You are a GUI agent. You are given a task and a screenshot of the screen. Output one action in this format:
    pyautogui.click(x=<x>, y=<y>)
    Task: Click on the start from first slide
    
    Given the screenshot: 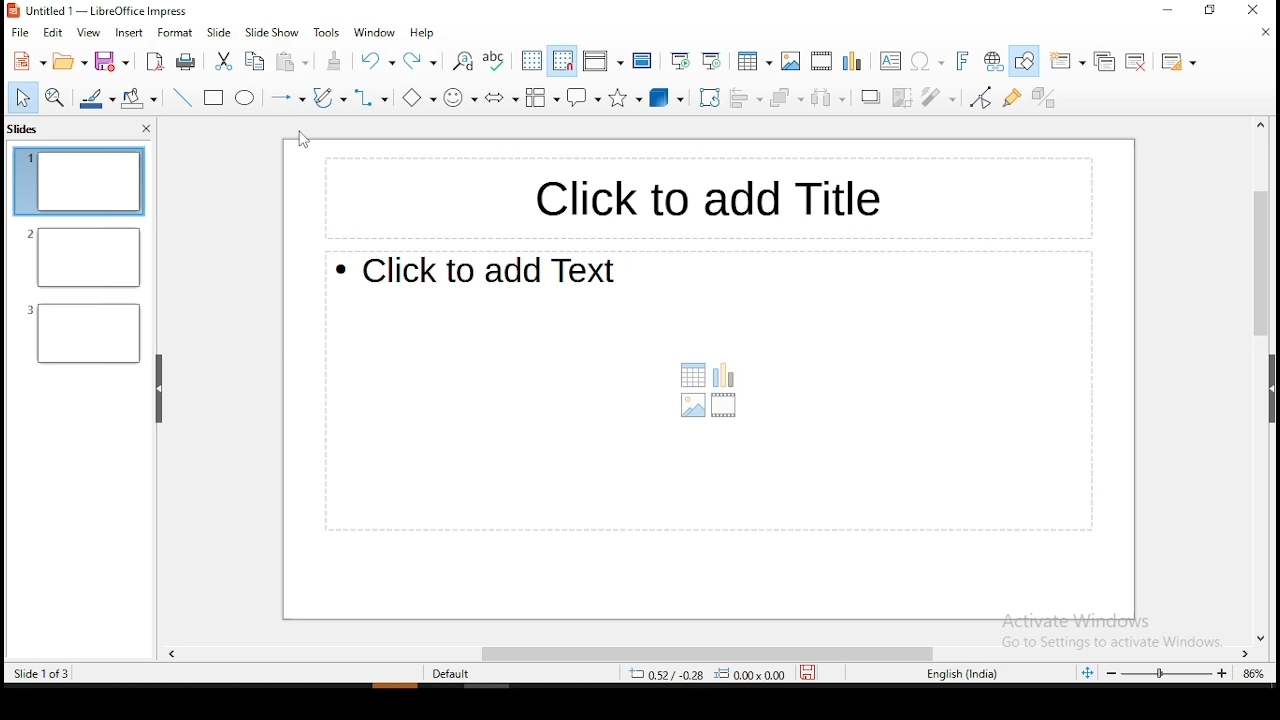 What is the action you would take?
    pyautogui.click(x=680, y=62)
    